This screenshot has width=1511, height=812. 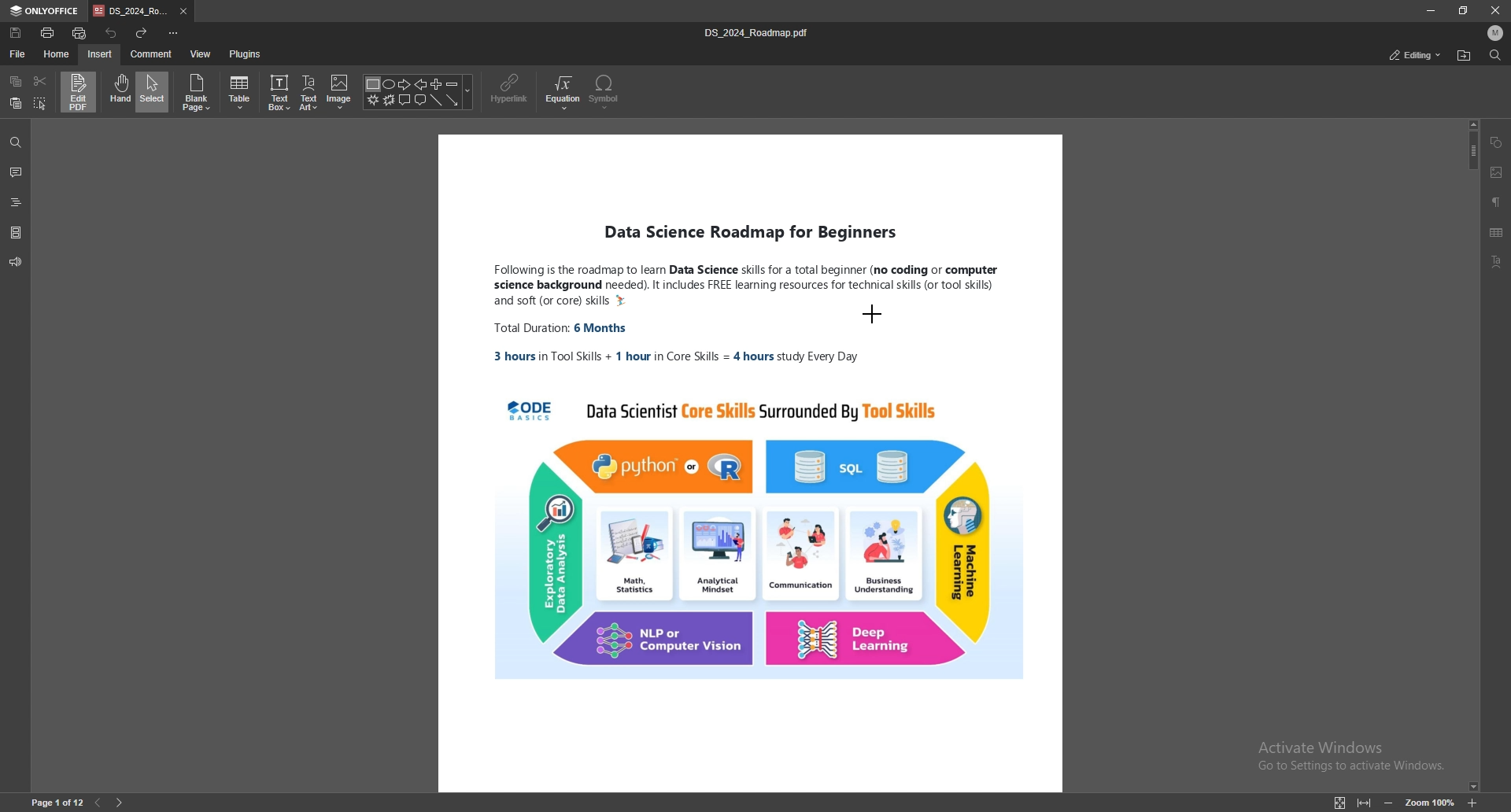 What do you see at coordinates (79, 91) in the screenshot?
I see `edit pdf` at bounding box center [79, 91].